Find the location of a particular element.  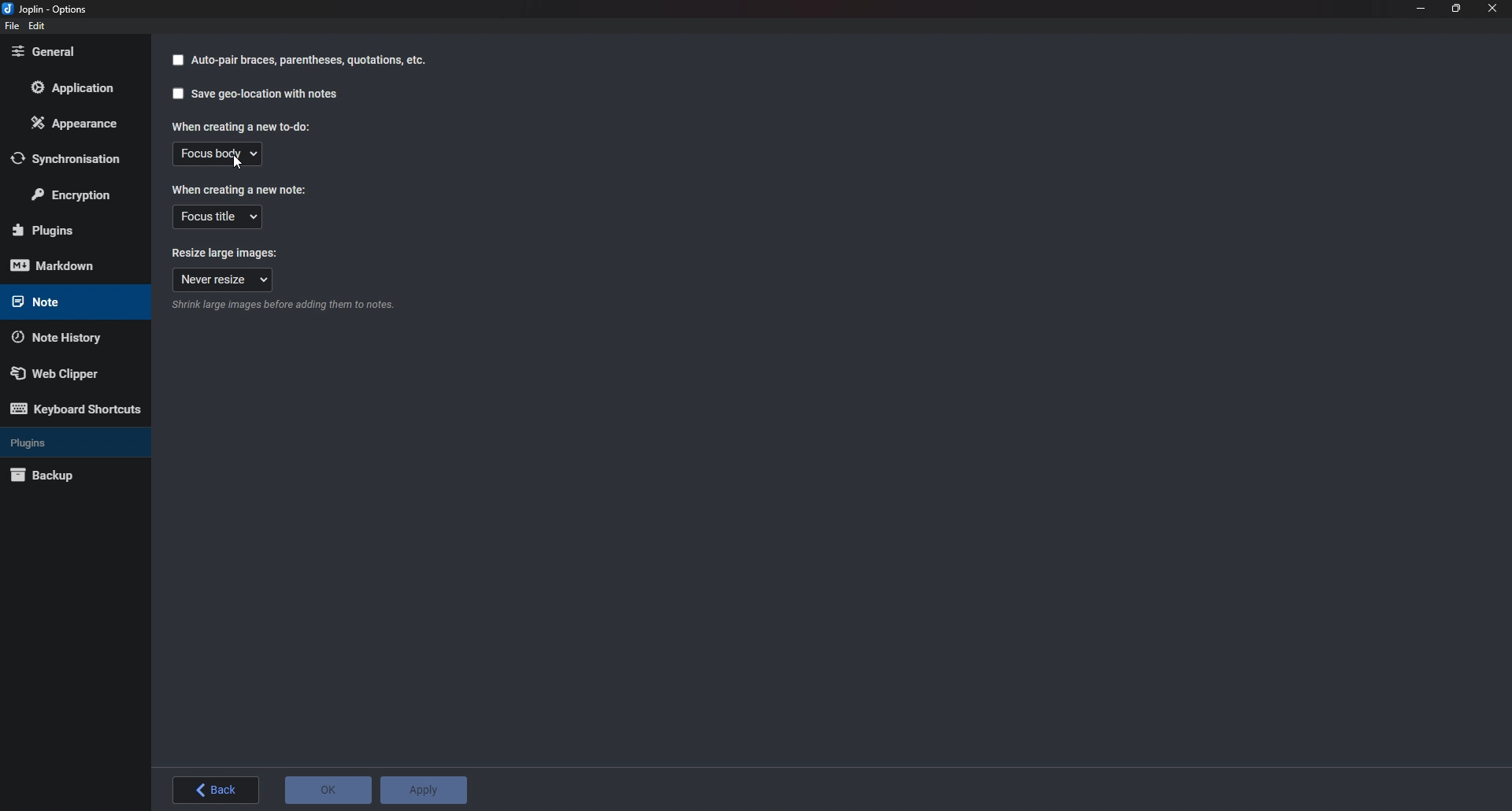

Apply is located at coordinates (425, 789).